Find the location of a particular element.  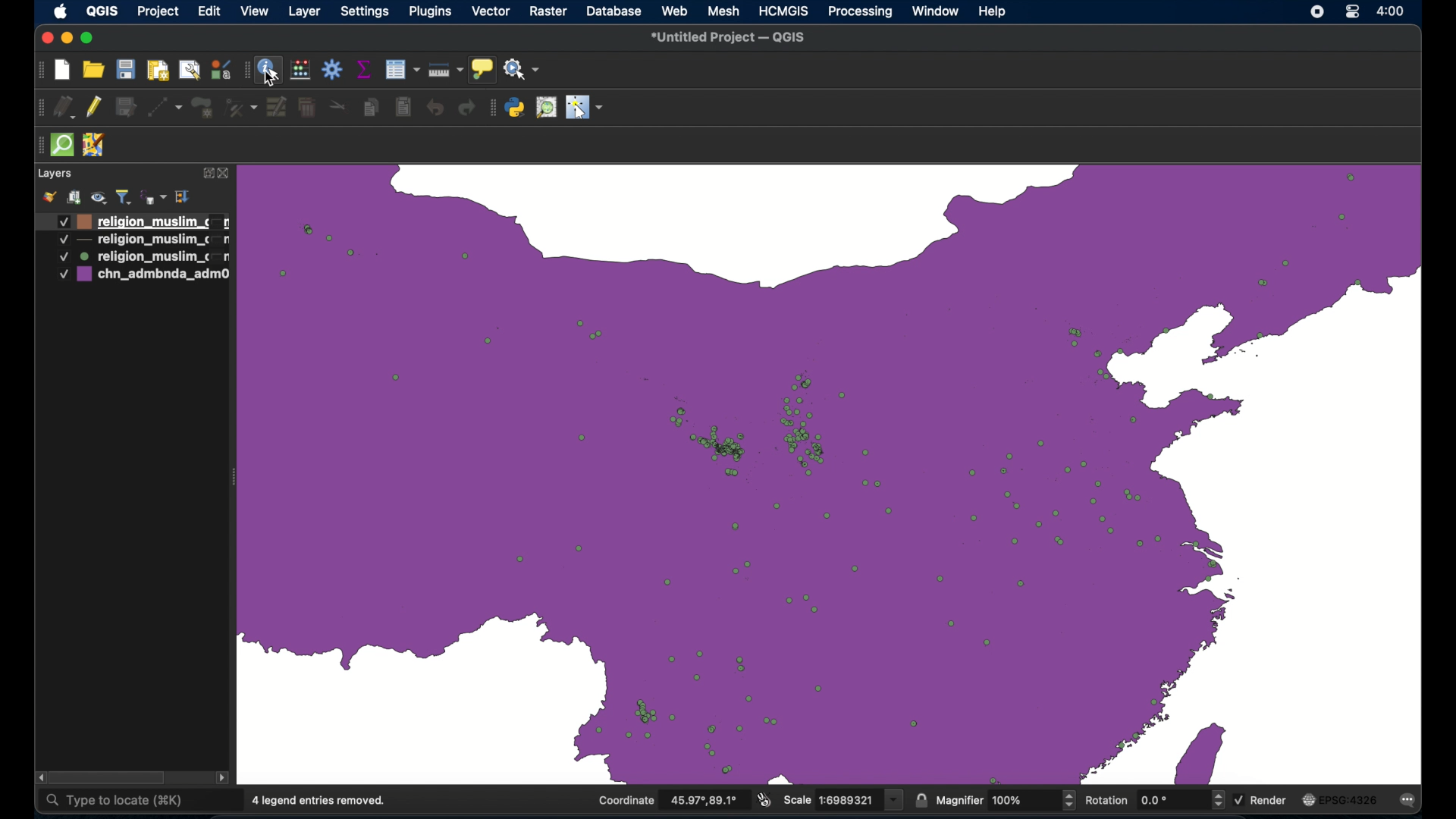

window is located at coordinates (934, 11).